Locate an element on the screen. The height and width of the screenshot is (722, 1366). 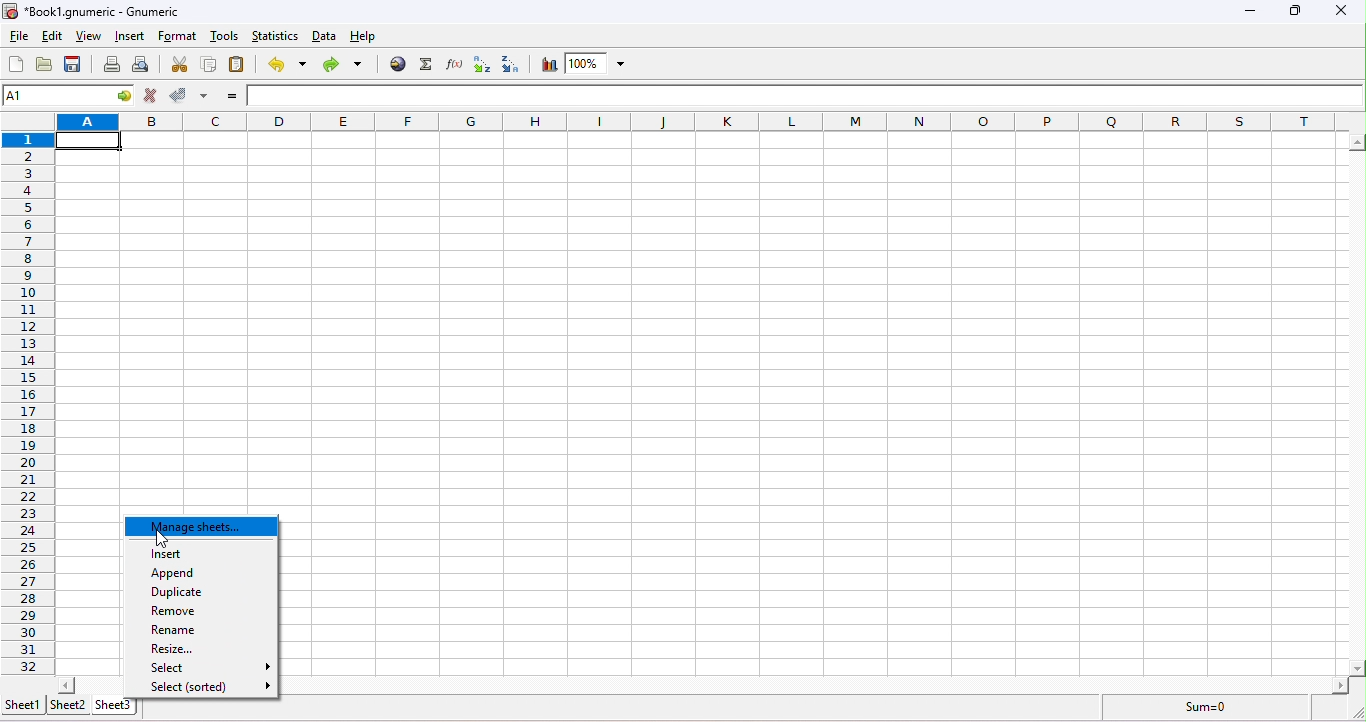
sum =0 is located at coordinates (1221, 710).